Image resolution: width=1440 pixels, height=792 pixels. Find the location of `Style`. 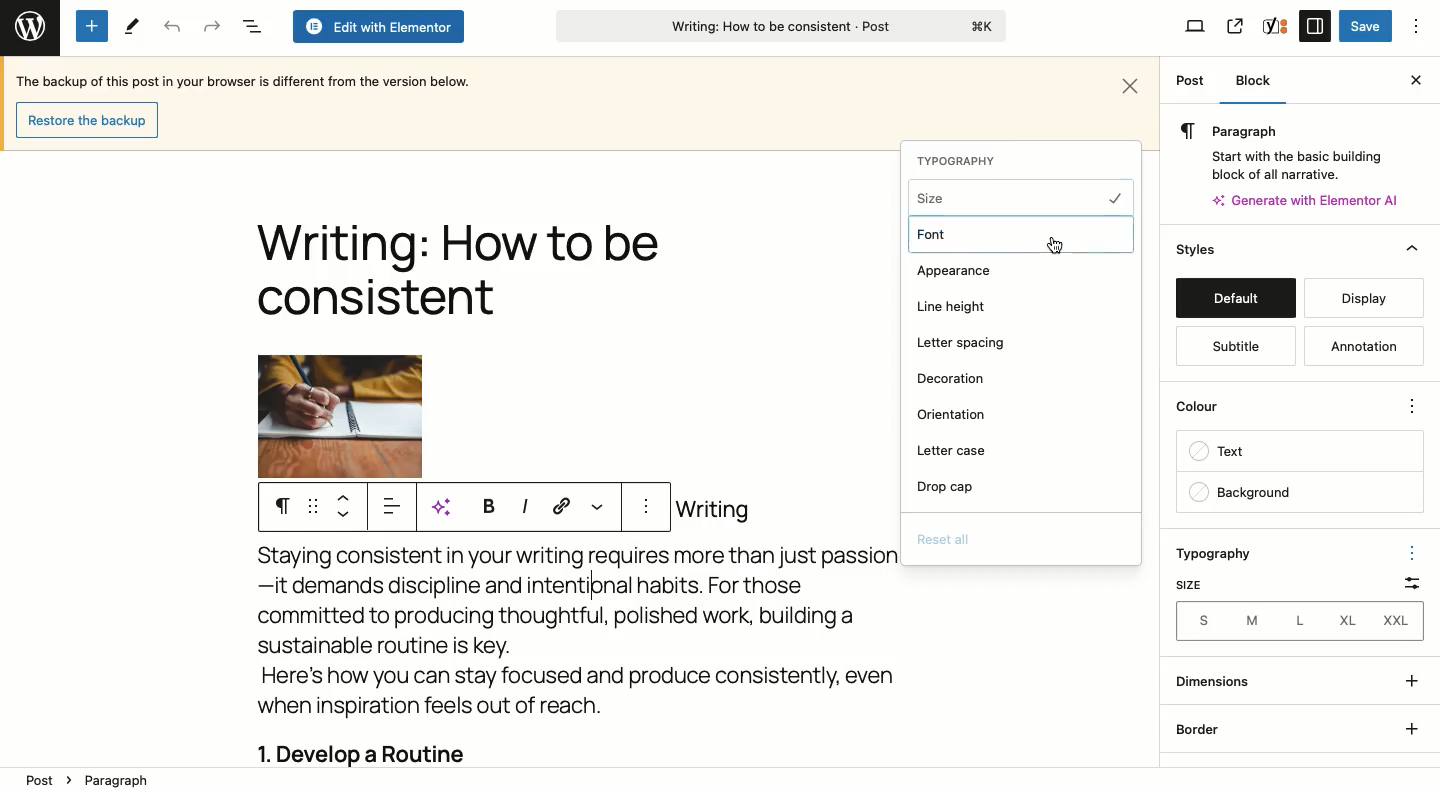

Style is located at coordinates (1198, 249).